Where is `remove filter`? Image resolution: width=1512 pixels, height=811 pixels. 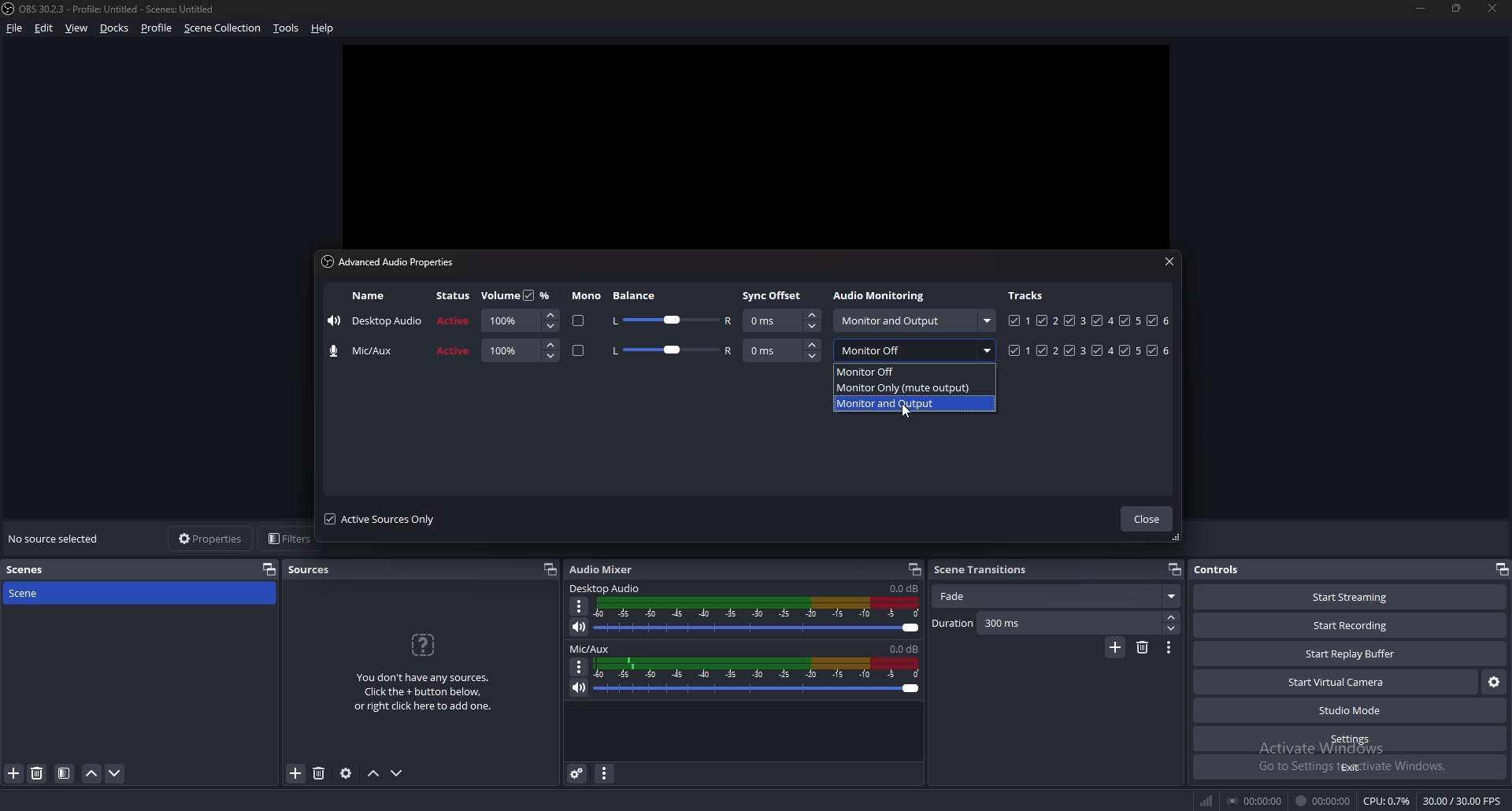
remove filter is located at coordinates (38, 773).